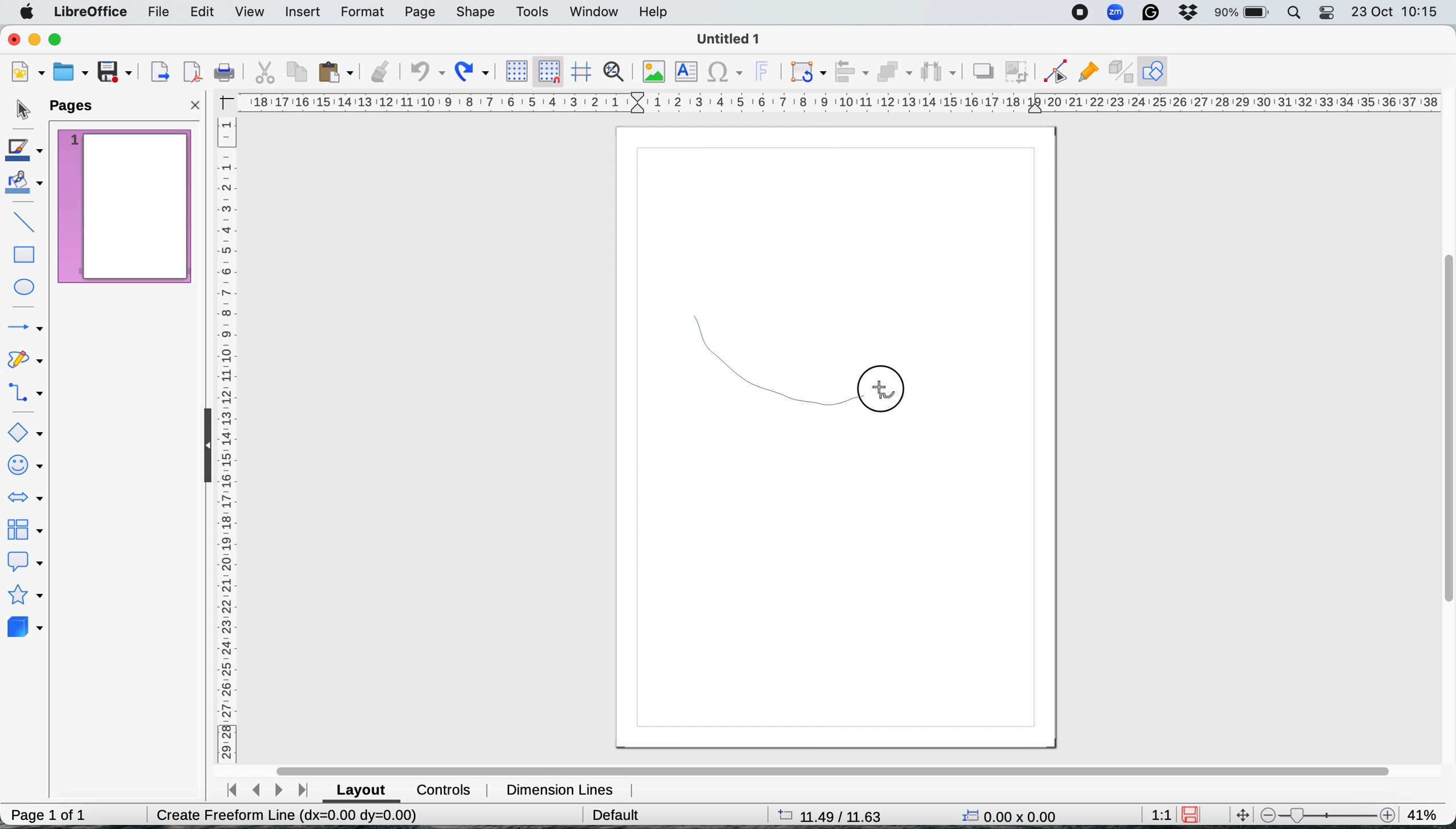  Describe the element at coordinates (50, 811) in the screenshot. I see `page 1 of 1` at that location.